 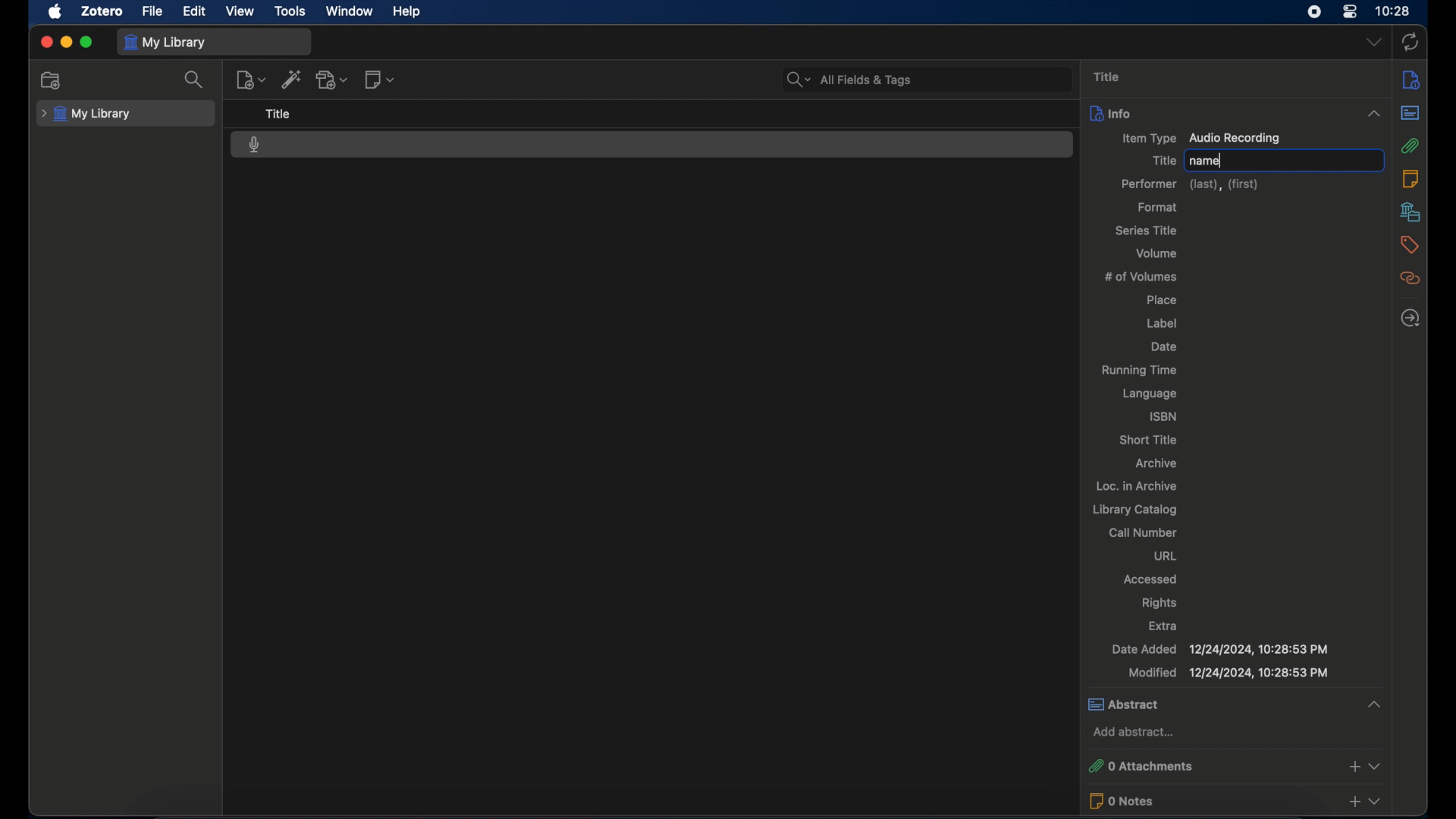 What do you see at coordinates (1411, 80) in the screenshot?
I see `info` at bounding box center [1411, 80].